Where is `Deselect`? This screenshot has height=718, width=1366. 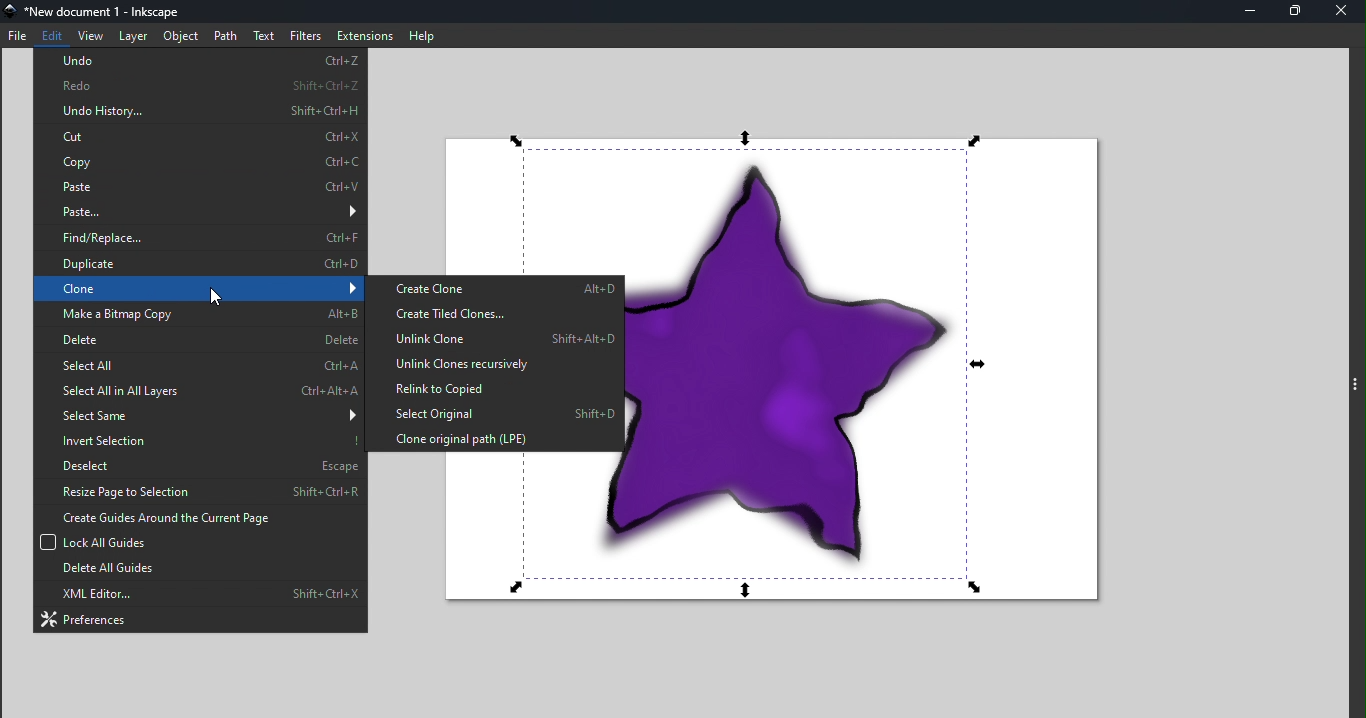
Deselect is located at coordinates (197, 463).